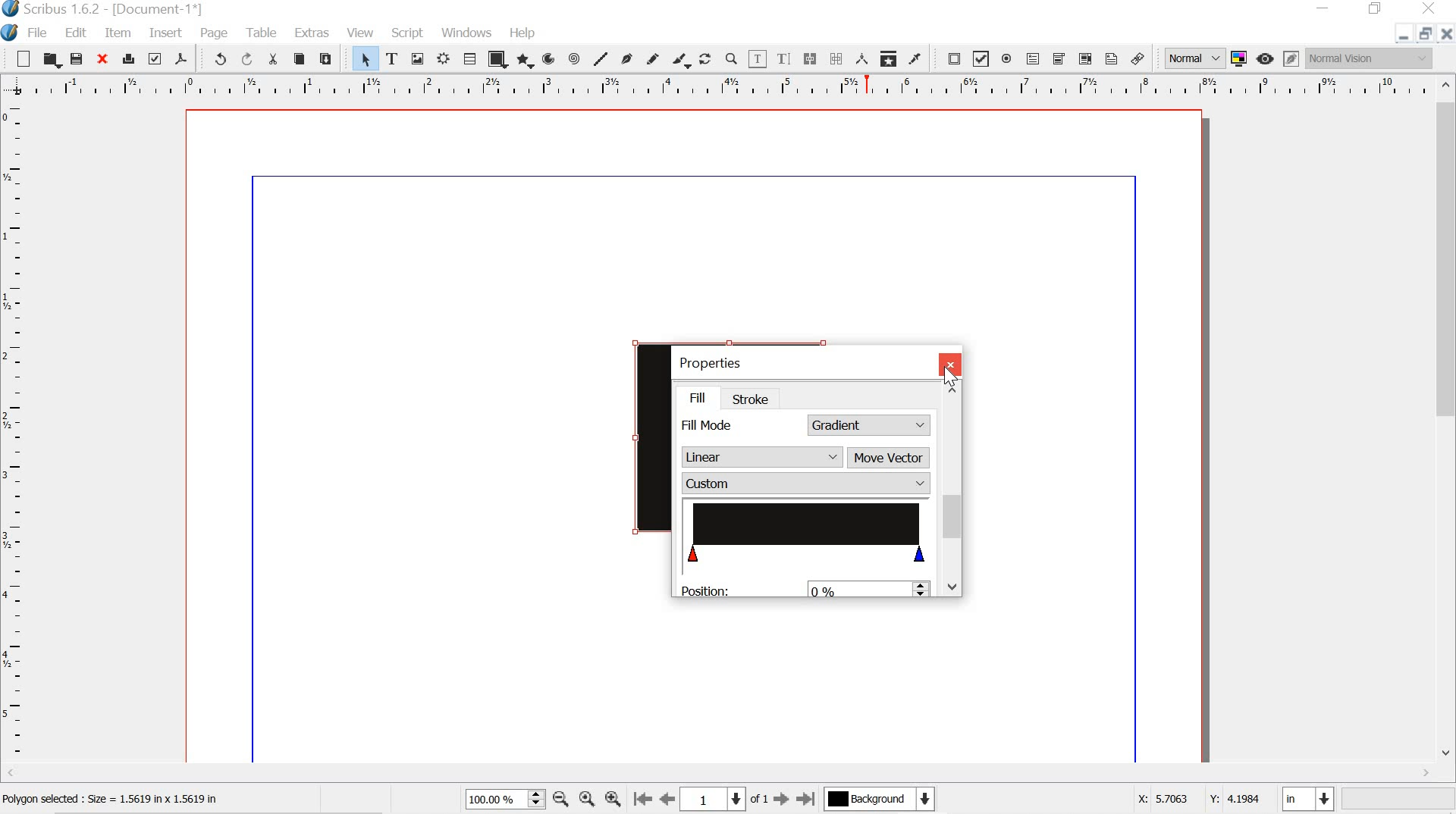 The height and width of the screenshot is (814, 1456). I want to click on of 1, so click(759, 800).